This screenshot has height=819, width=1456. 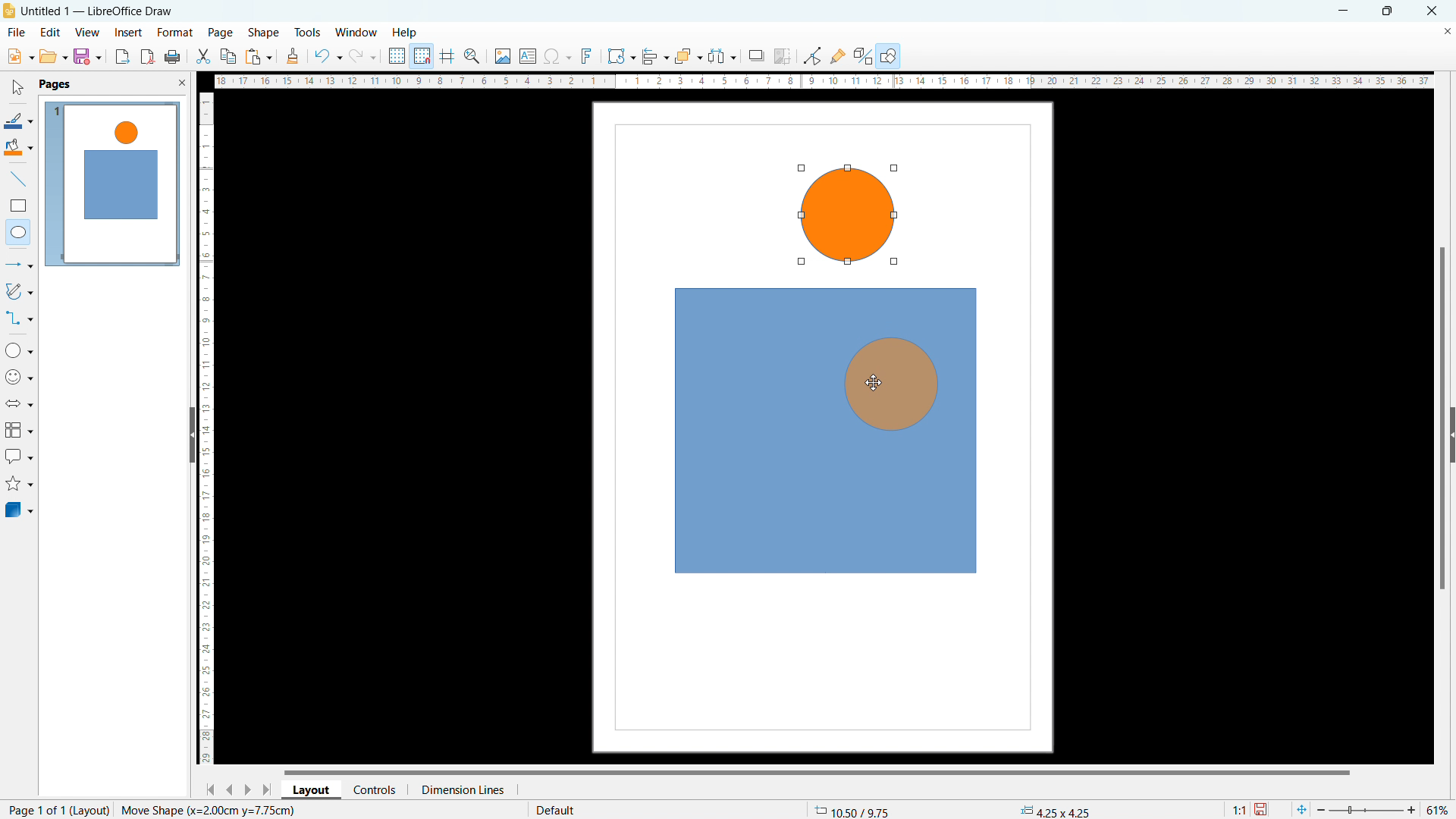 What do you see at coordinates (15, 33) in the screenshot?
I see `file` at bounding box center [15, 33].